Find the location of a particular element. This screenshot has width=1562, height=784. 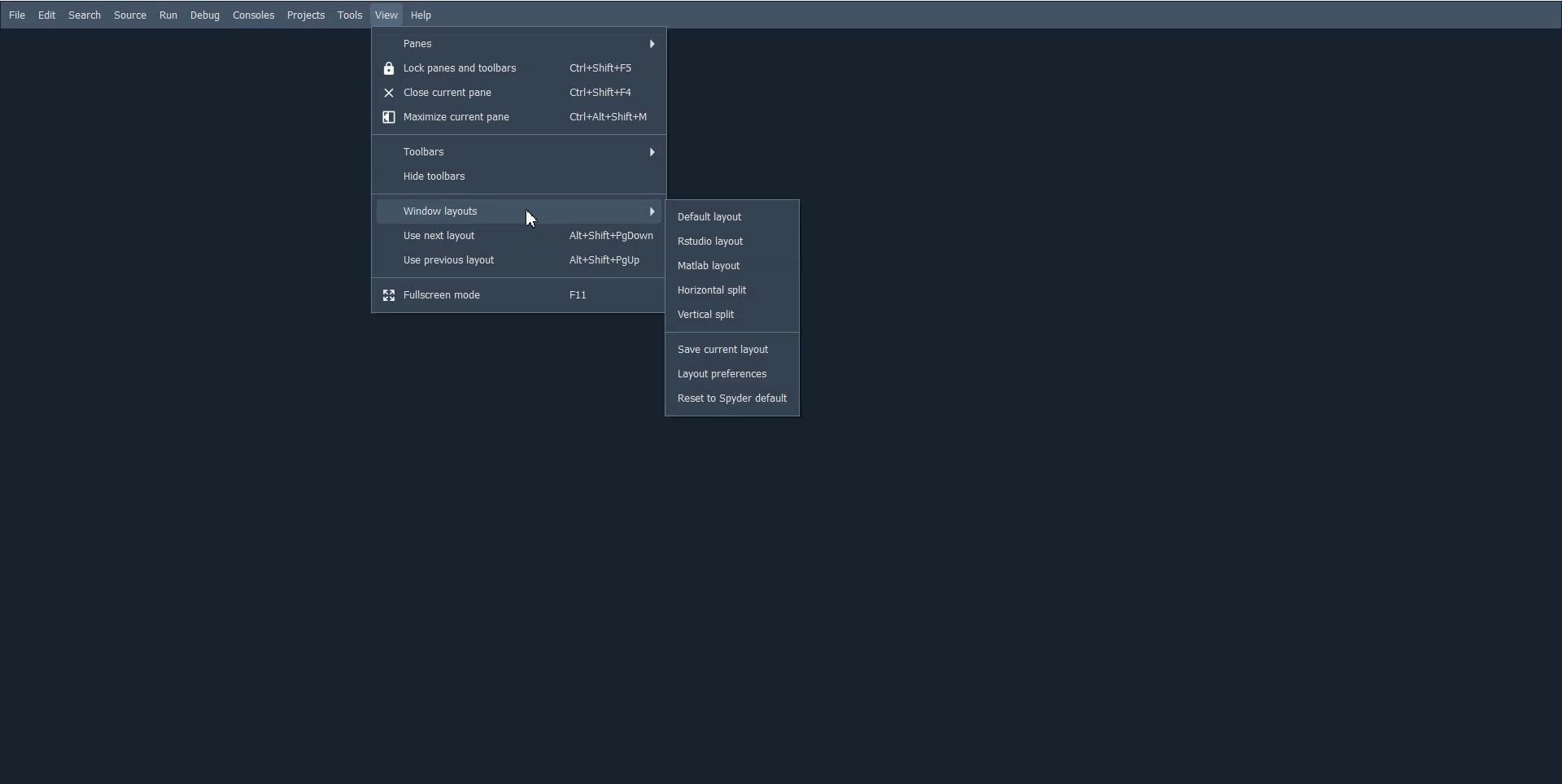

Toolbars is located at coordinates (520, 150).